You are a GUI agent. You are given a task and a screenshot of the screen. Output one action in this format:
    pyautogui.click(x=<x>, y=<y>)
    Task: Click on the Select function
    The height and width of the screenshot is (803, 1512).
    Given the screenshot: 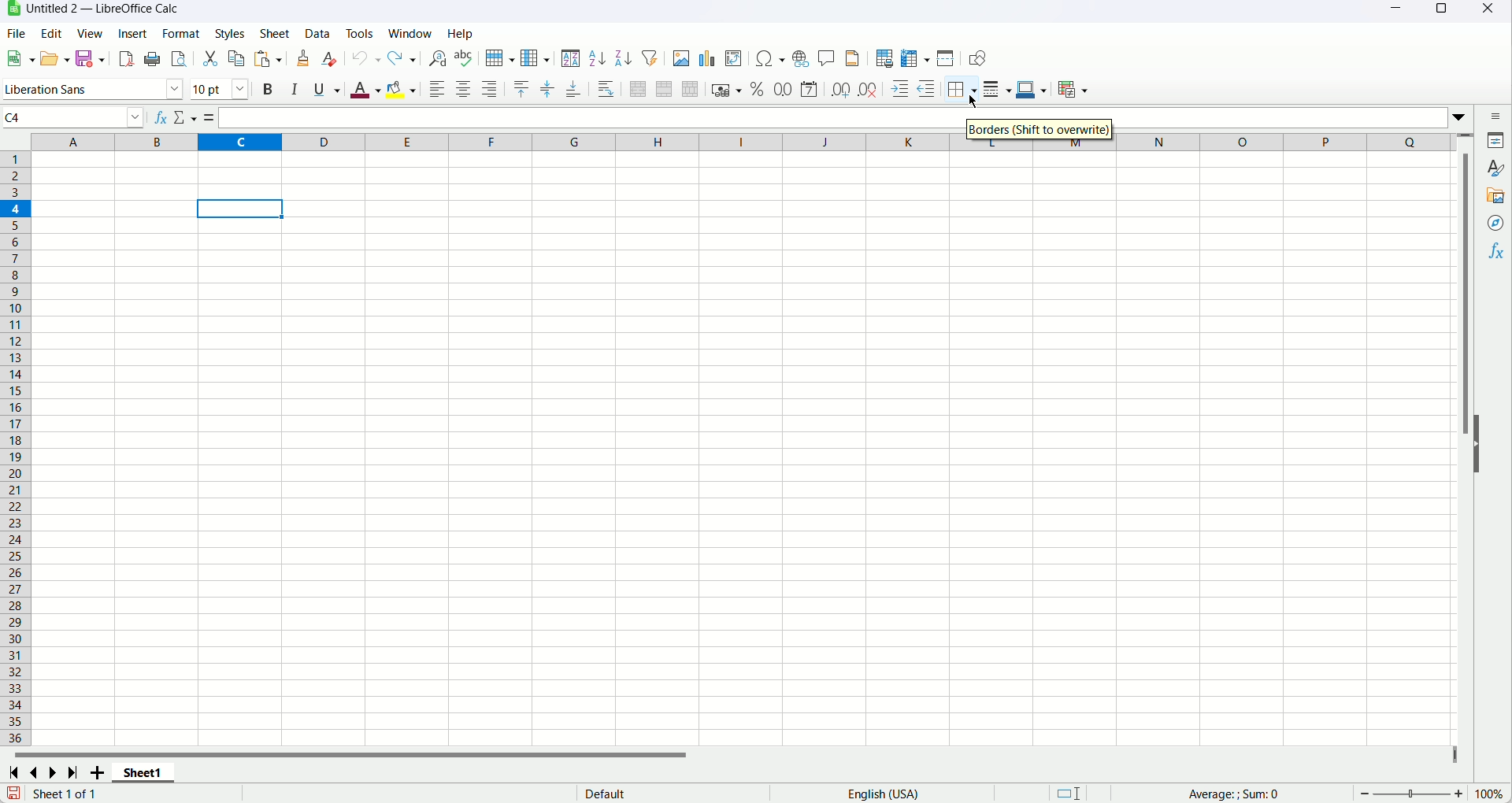 What is the action you would take?
    pyautogui.click(x=187, y=119)
    